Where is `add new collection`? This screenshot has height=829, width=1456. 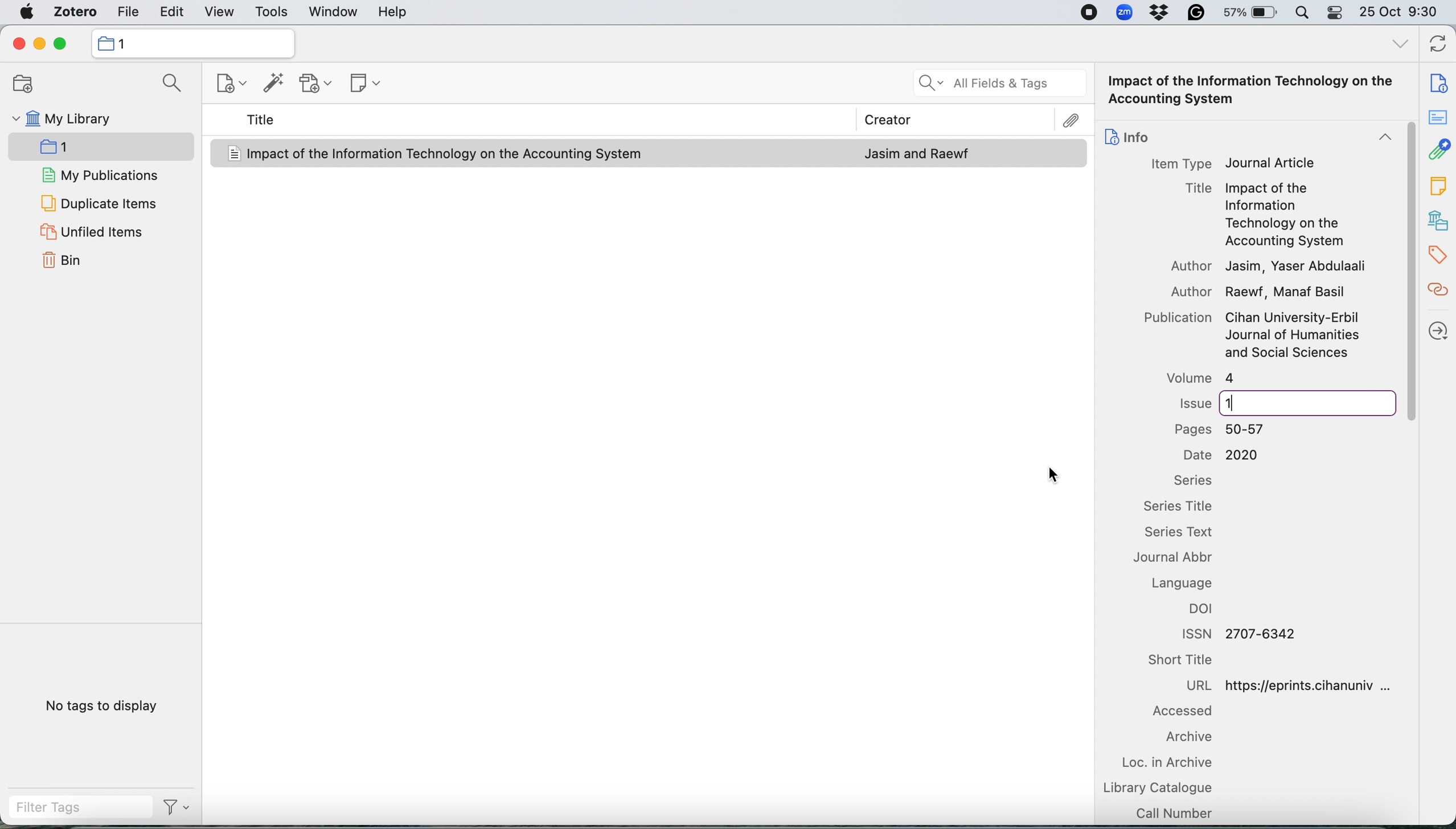
add new collection is located at coordinates (22, 84).